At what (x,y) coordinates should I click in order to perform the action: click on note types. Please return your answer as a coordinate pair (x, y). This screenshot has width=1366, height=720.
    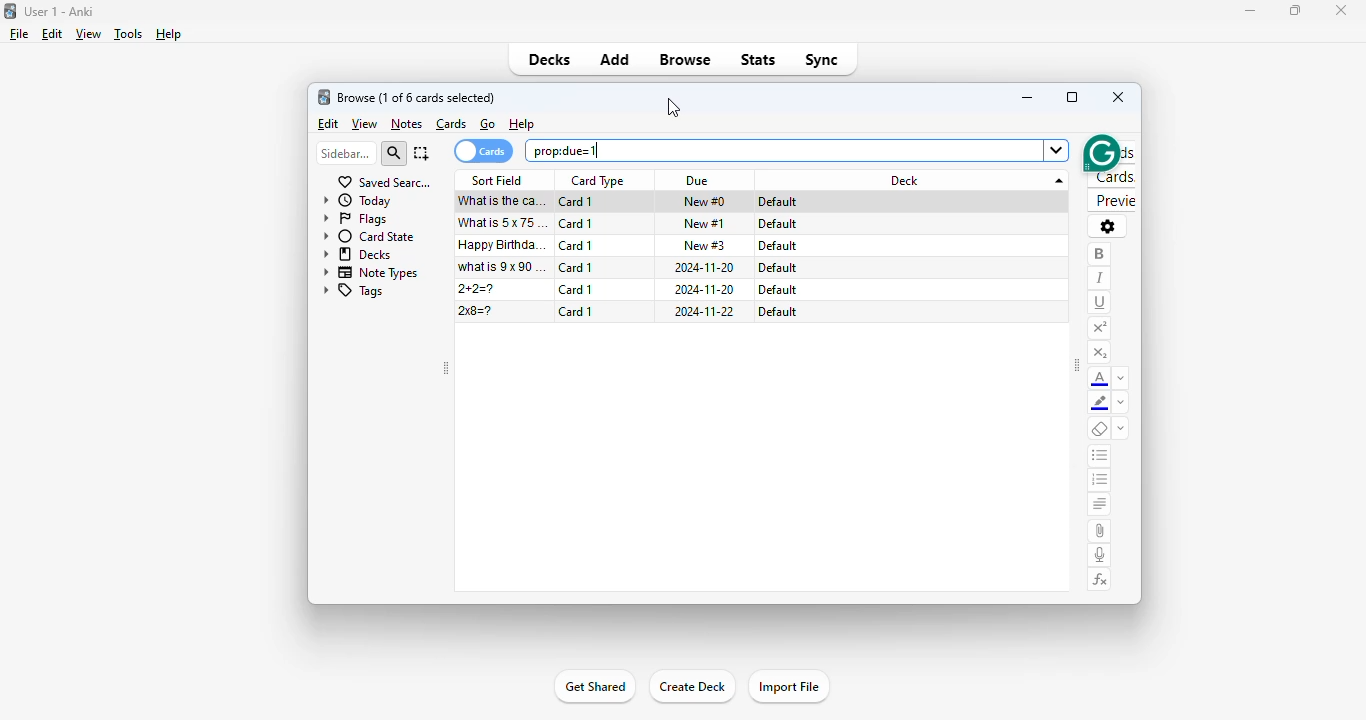
    Looking at the image, I should click on (369, 273).